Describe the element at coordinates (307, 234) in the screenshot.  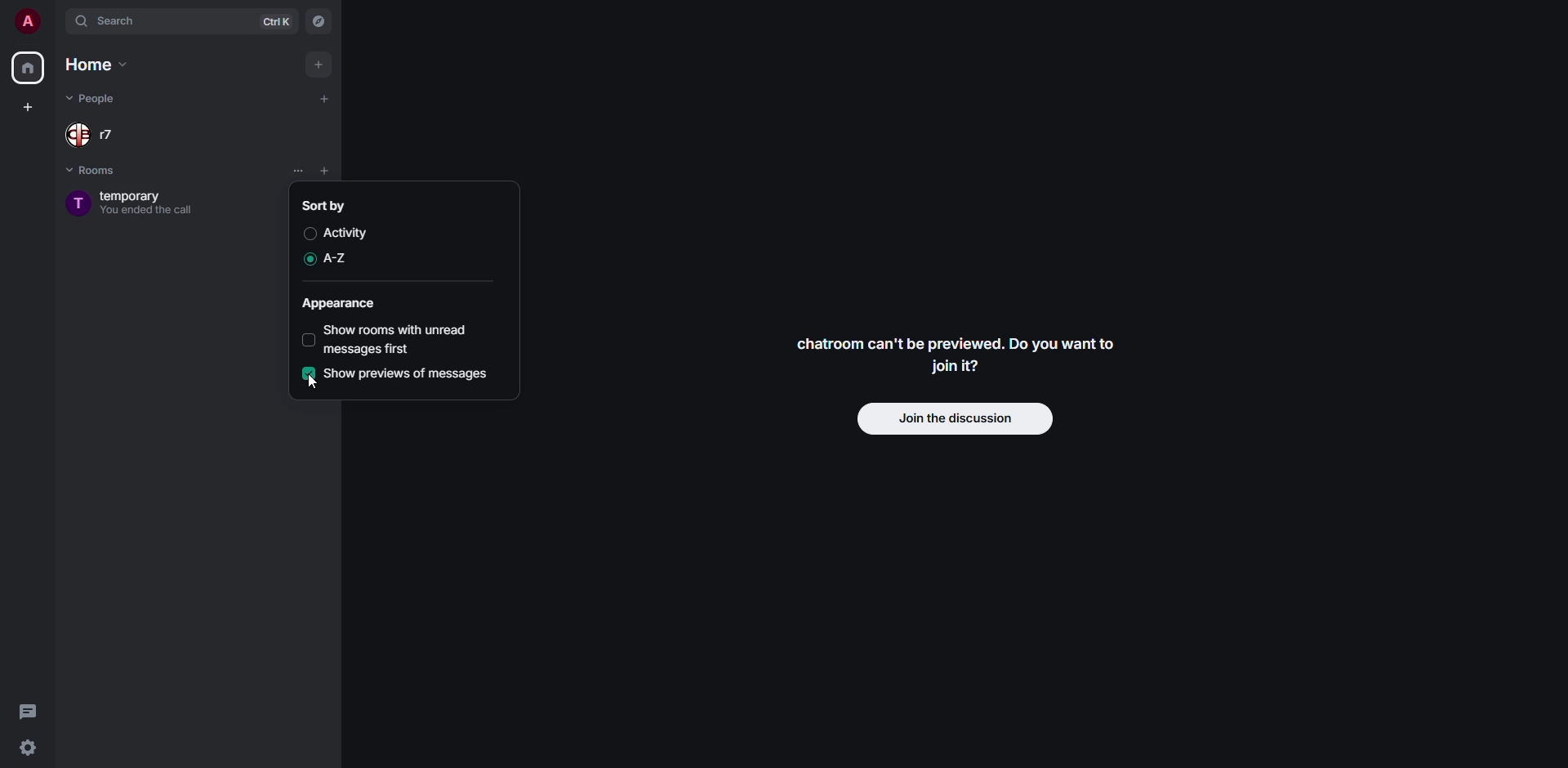
I see `disabled` at that location.